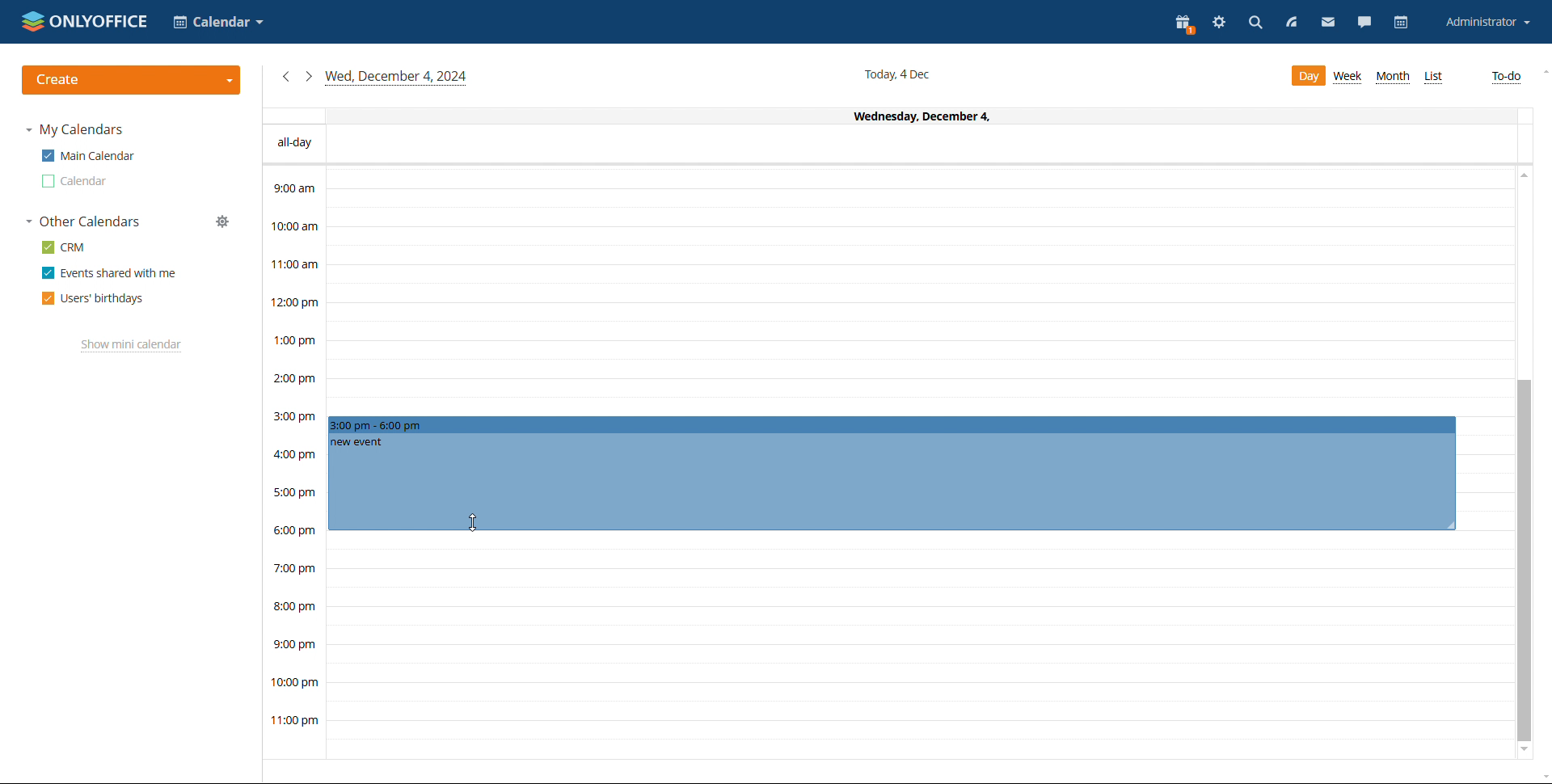 This screenshot has height=784, width=1552. Describe the element at coordinates (74, 129) in the screenshot. I see `my calendars` at that location.